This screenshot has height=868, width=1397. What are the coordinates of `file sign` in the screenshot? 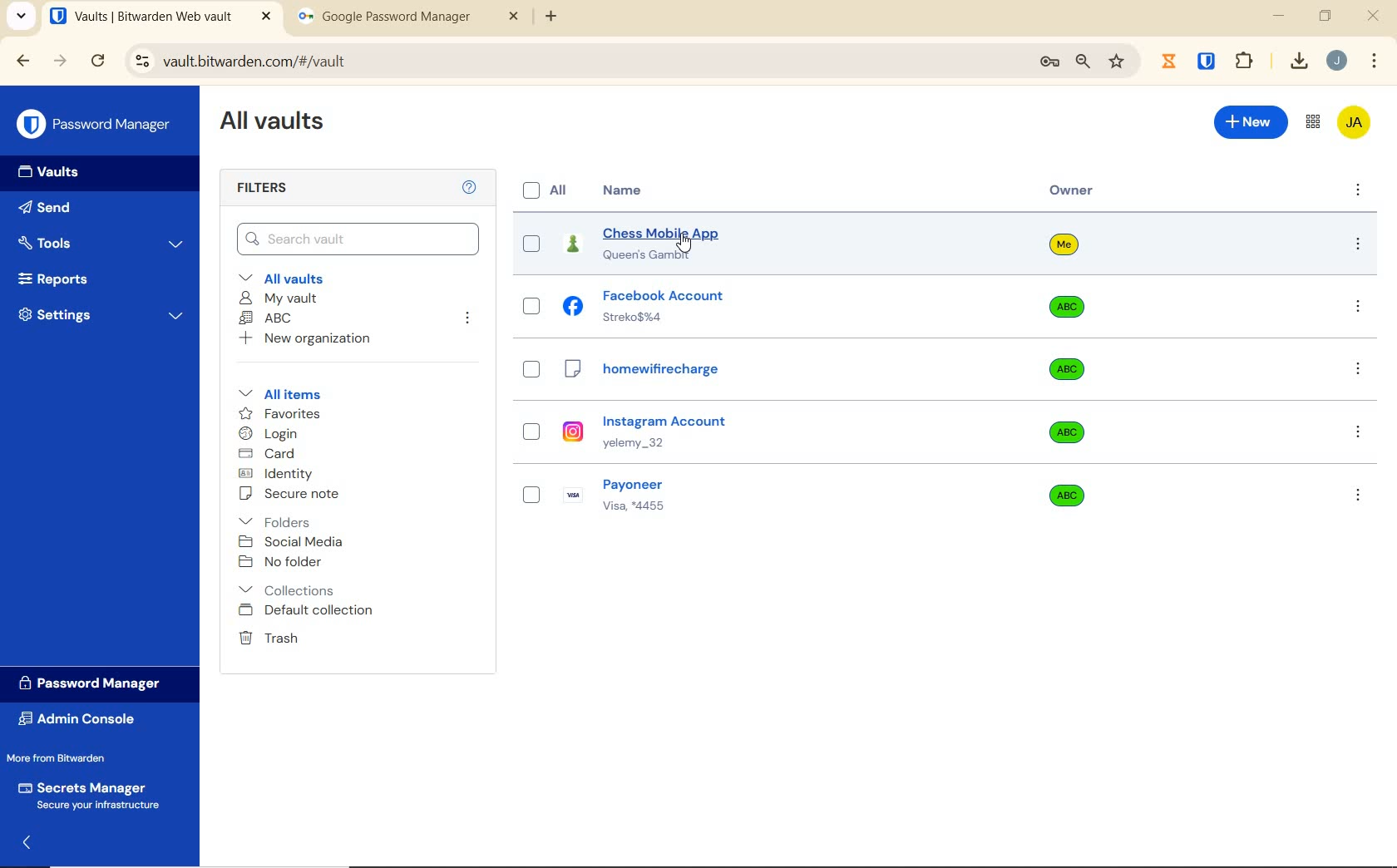 It's located at (574, 370).